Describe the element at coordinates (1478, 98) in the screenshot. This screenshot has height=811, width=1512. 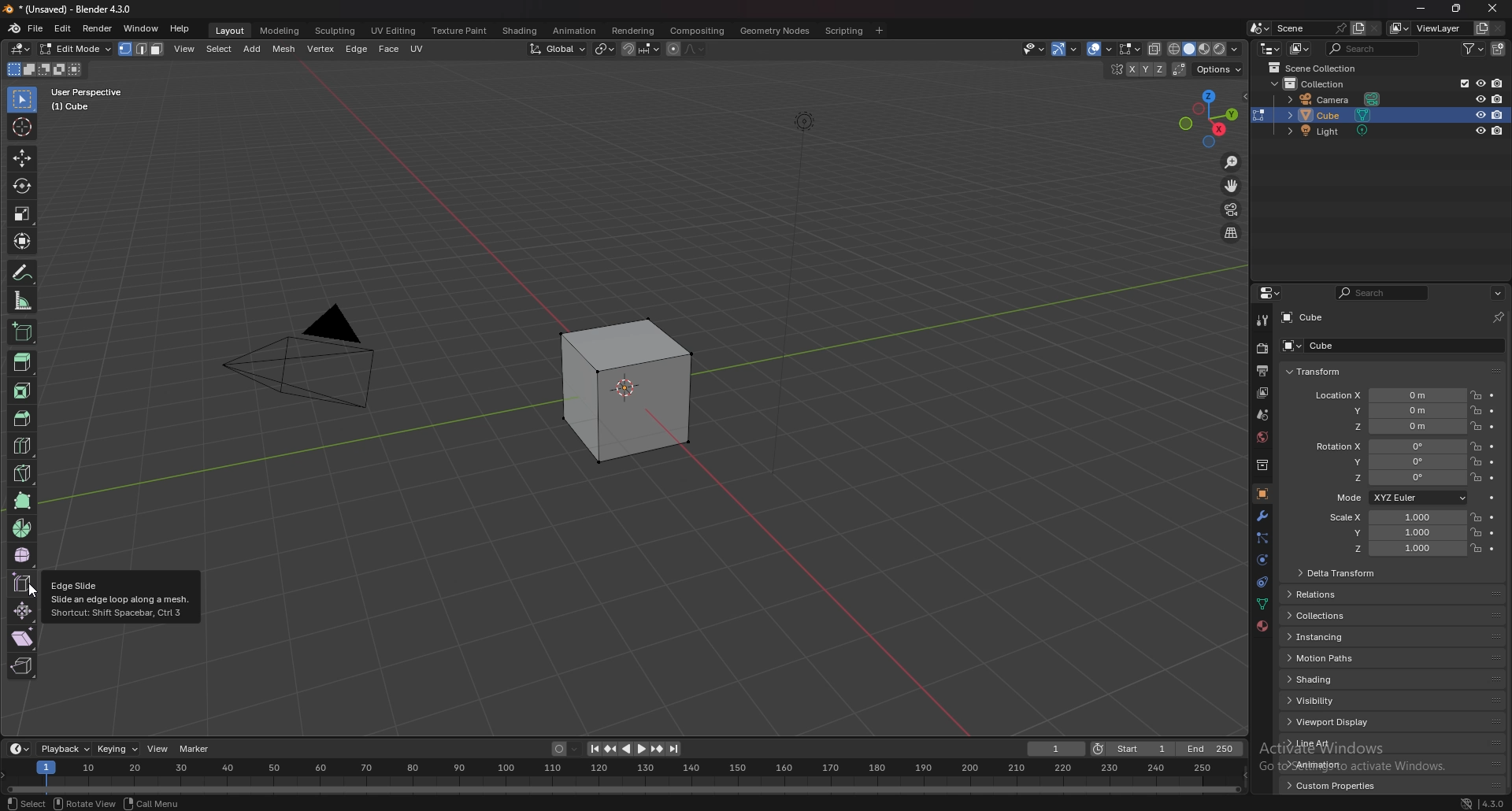
I see `hide in viewport` at that location.